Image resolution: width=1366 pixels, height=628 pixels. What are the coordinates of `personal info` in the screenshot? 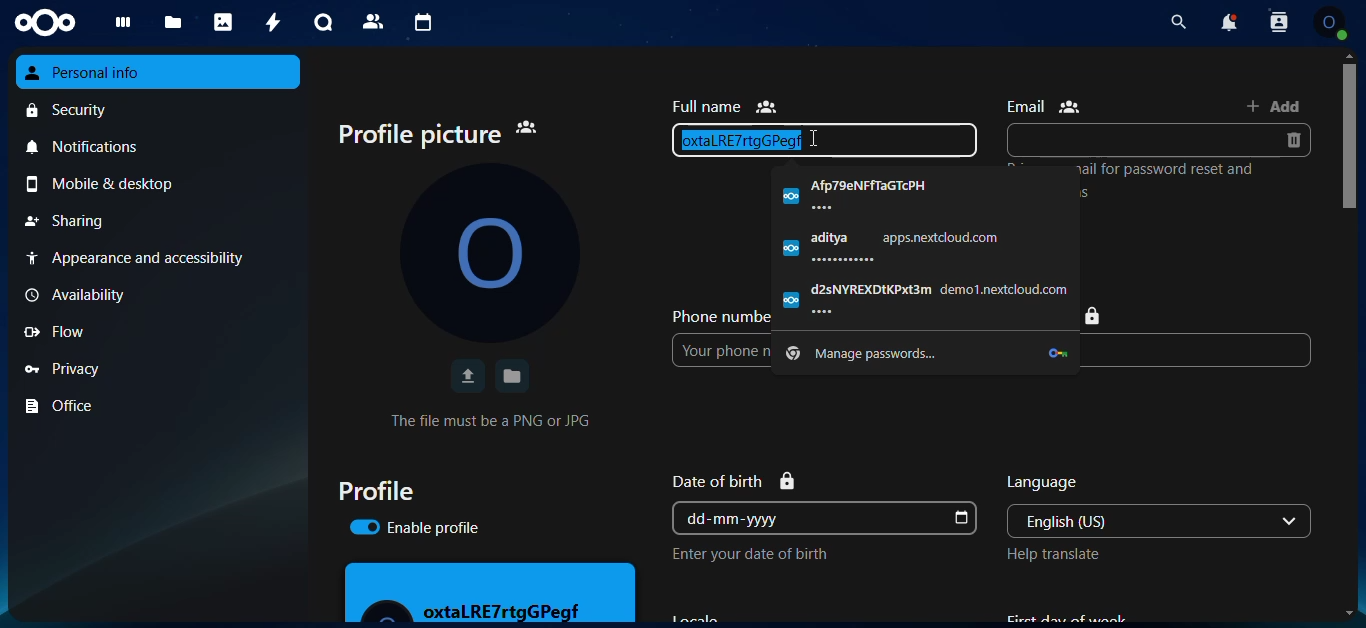 It's located at (159, 72).